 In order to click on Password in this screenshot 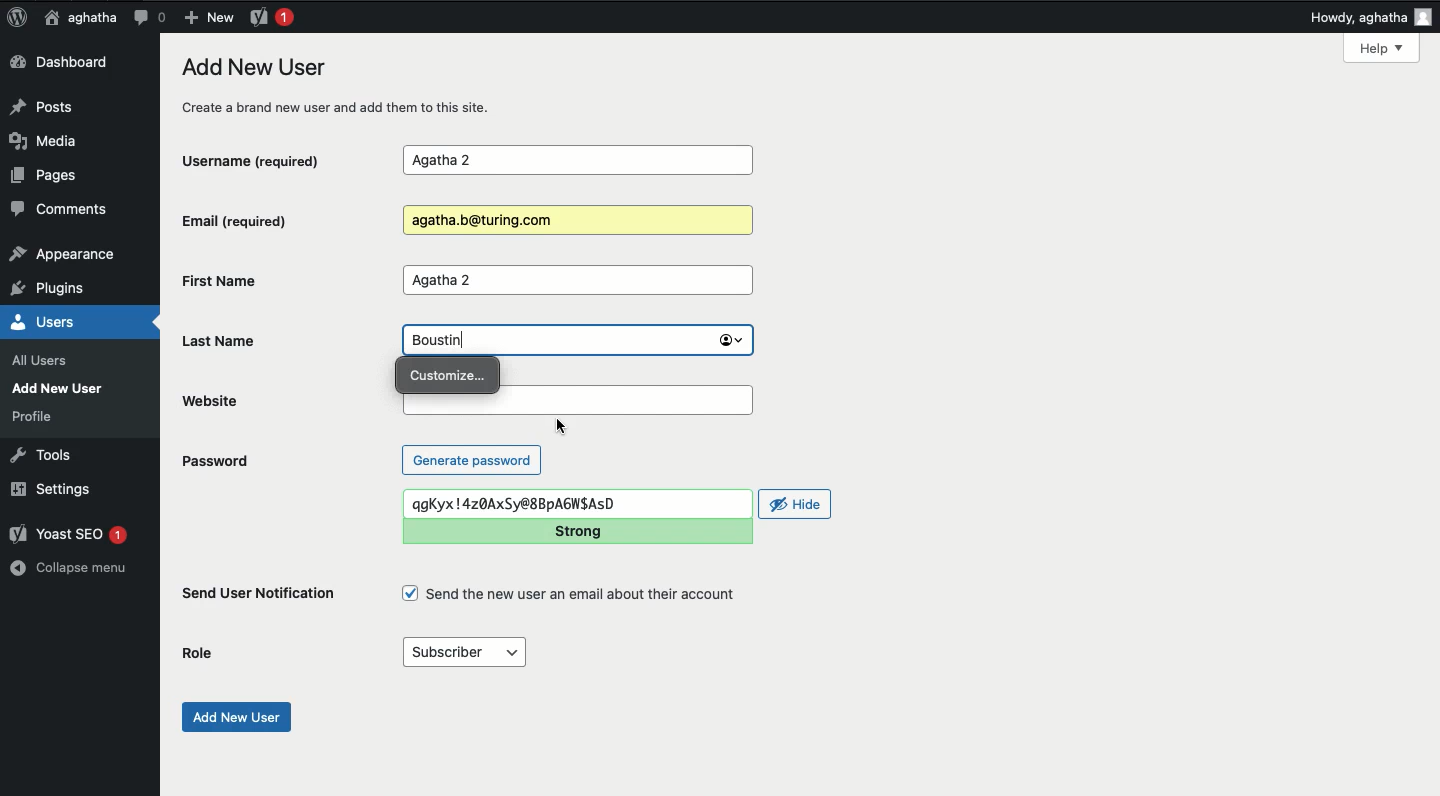, I will do `click(214, 461)`.